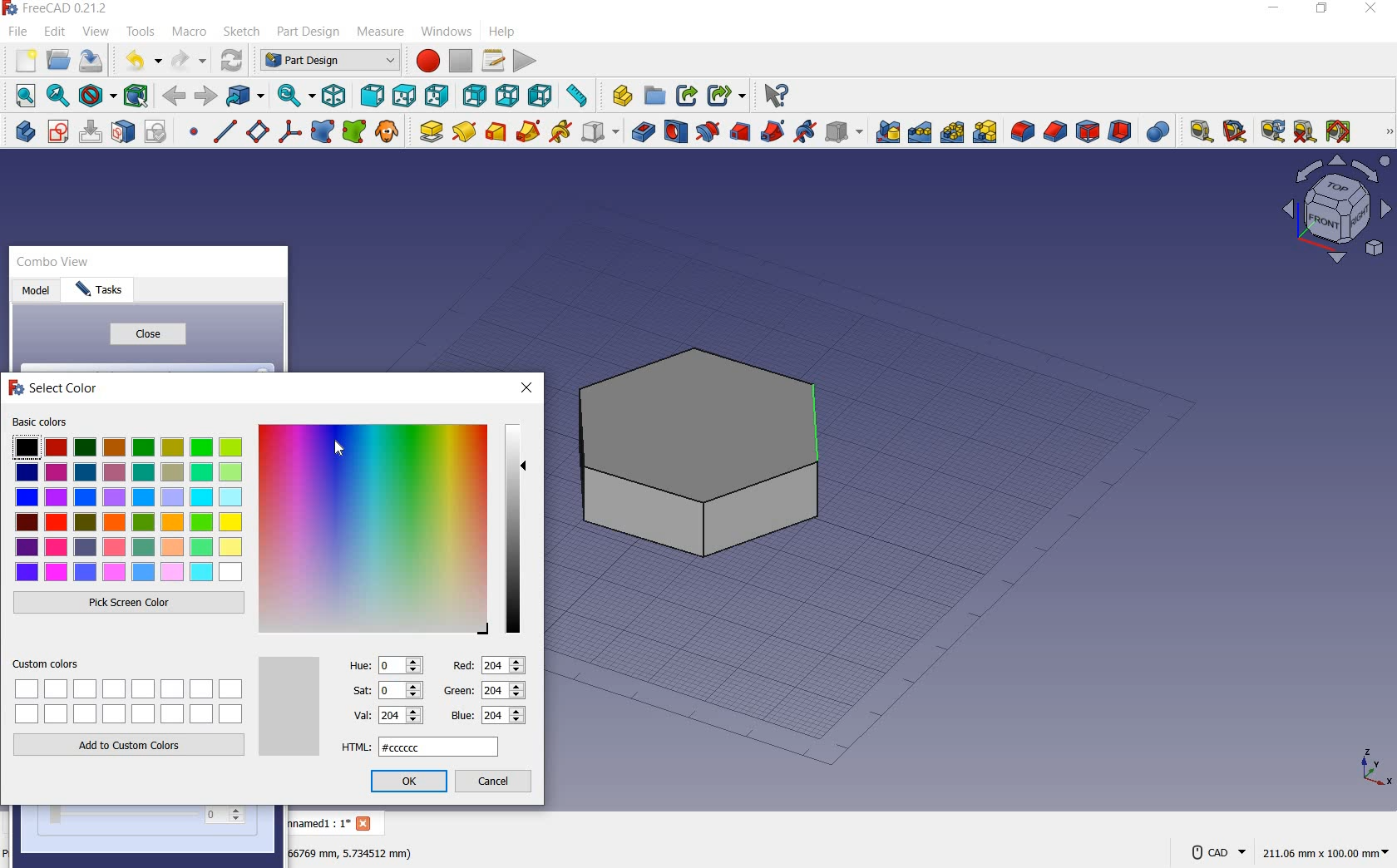  Describe the element at coordinates (175, 96) in the screenshot. I see `back` at that location.